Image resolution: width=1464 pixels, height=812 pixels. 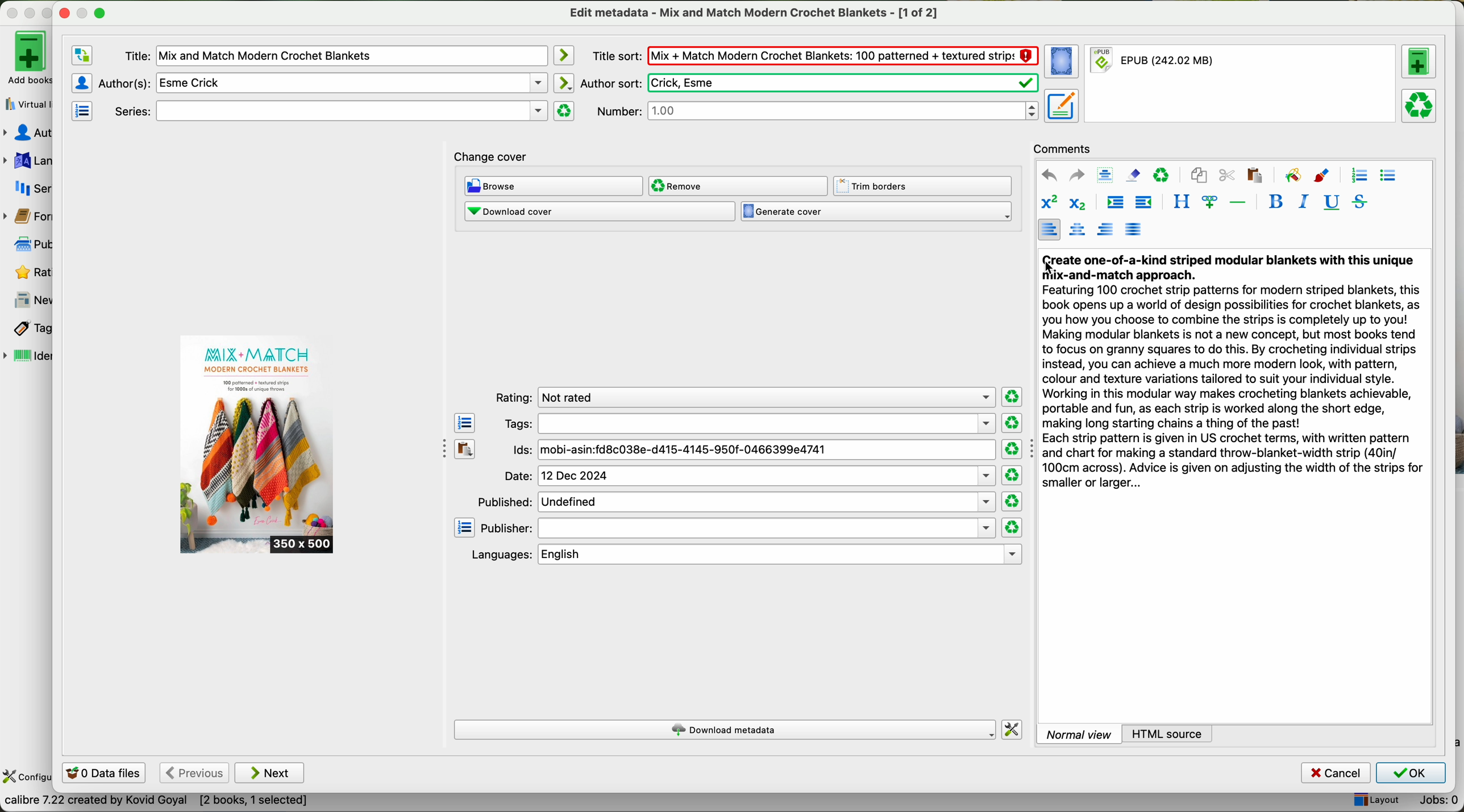 I want to click on ids, so click(x=753, y=451).